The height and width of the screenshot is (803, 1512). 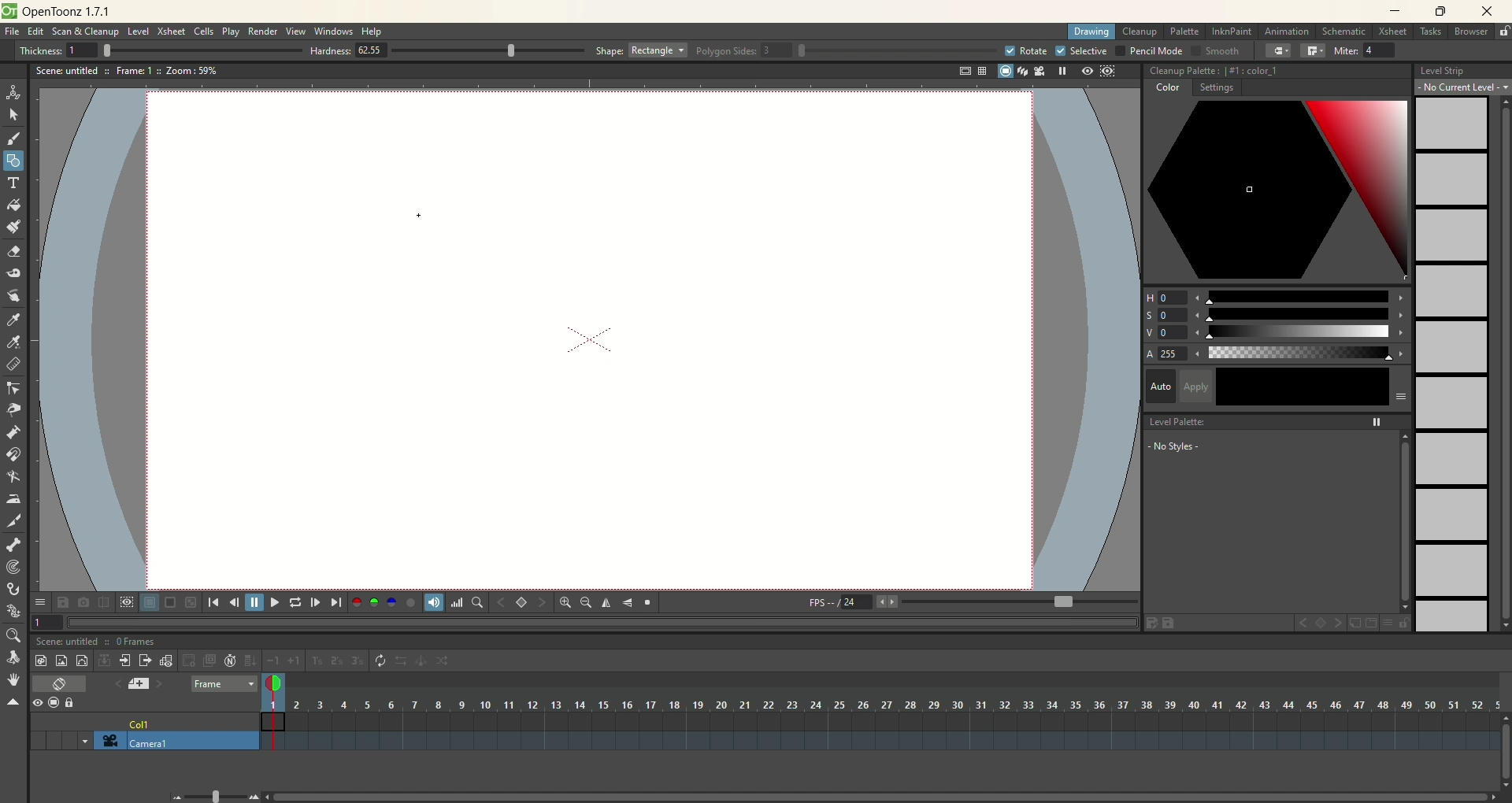 What do you see at coordinates (1339, 624) in the screenshot?
I see `next key` at bounding box center [1339, 624].